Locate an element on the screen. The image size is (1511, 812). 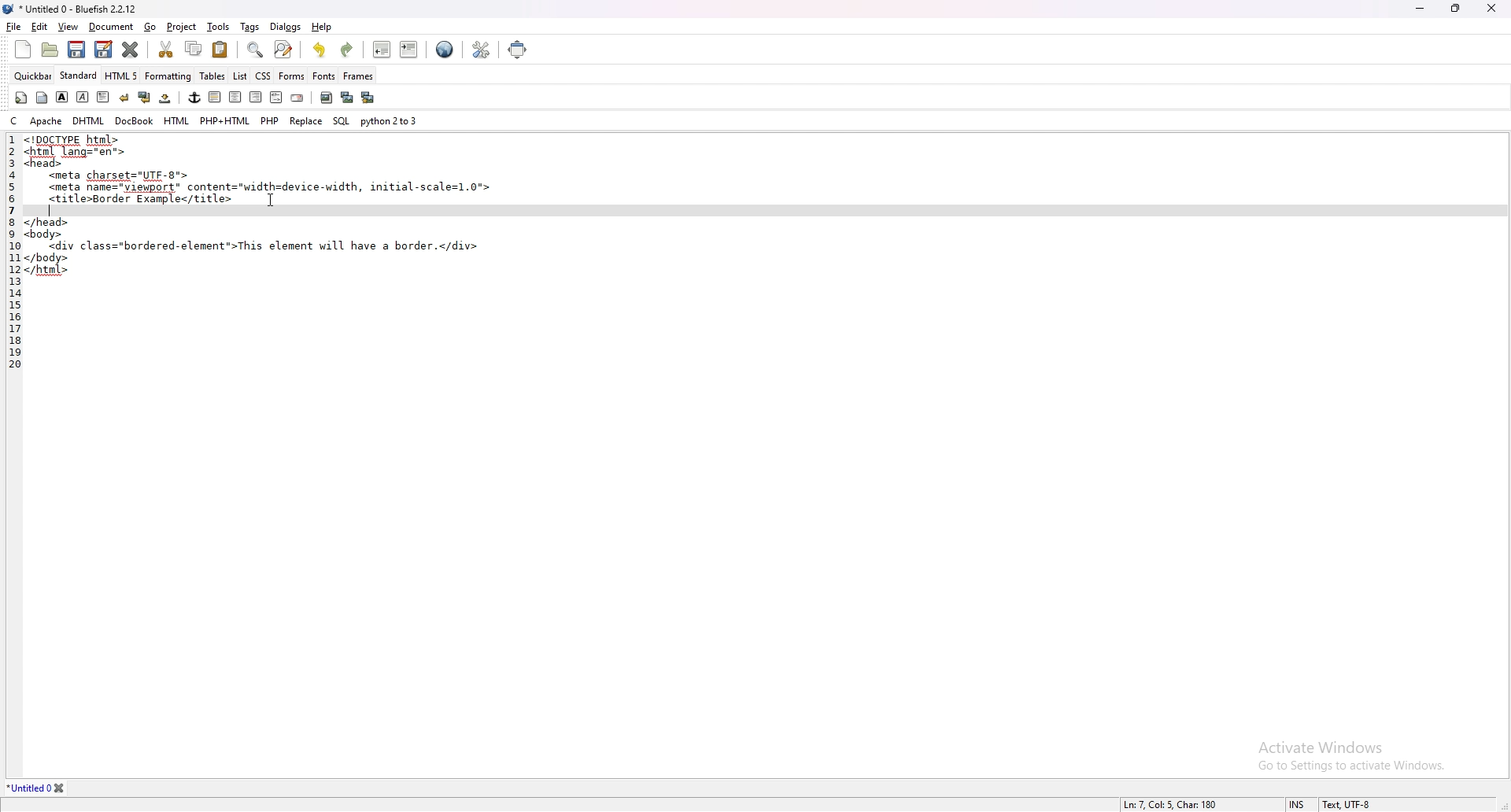
sql is located at coordinates (342, 121).